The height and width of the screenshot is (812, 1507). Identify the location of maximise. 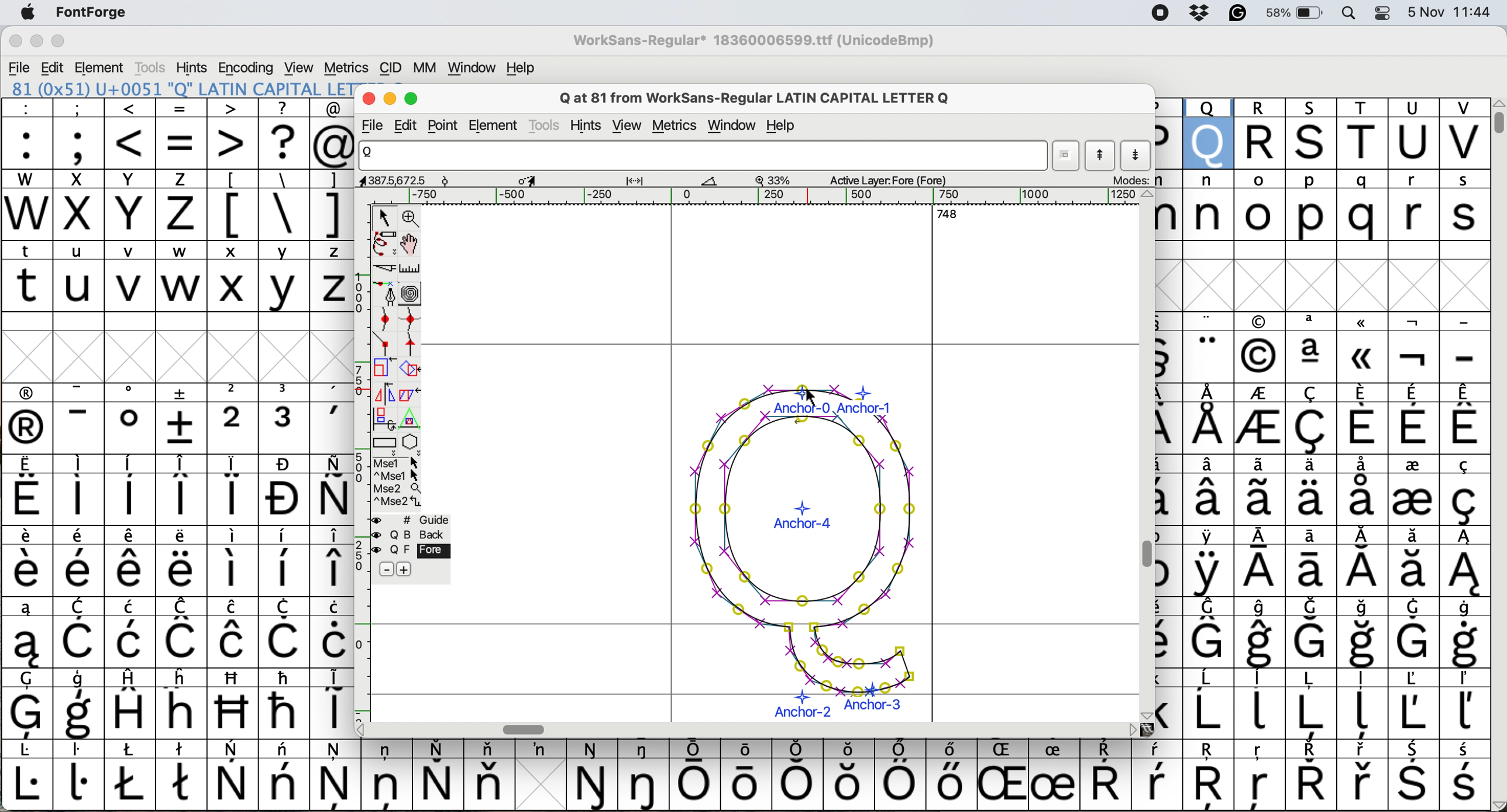
(413, 99).